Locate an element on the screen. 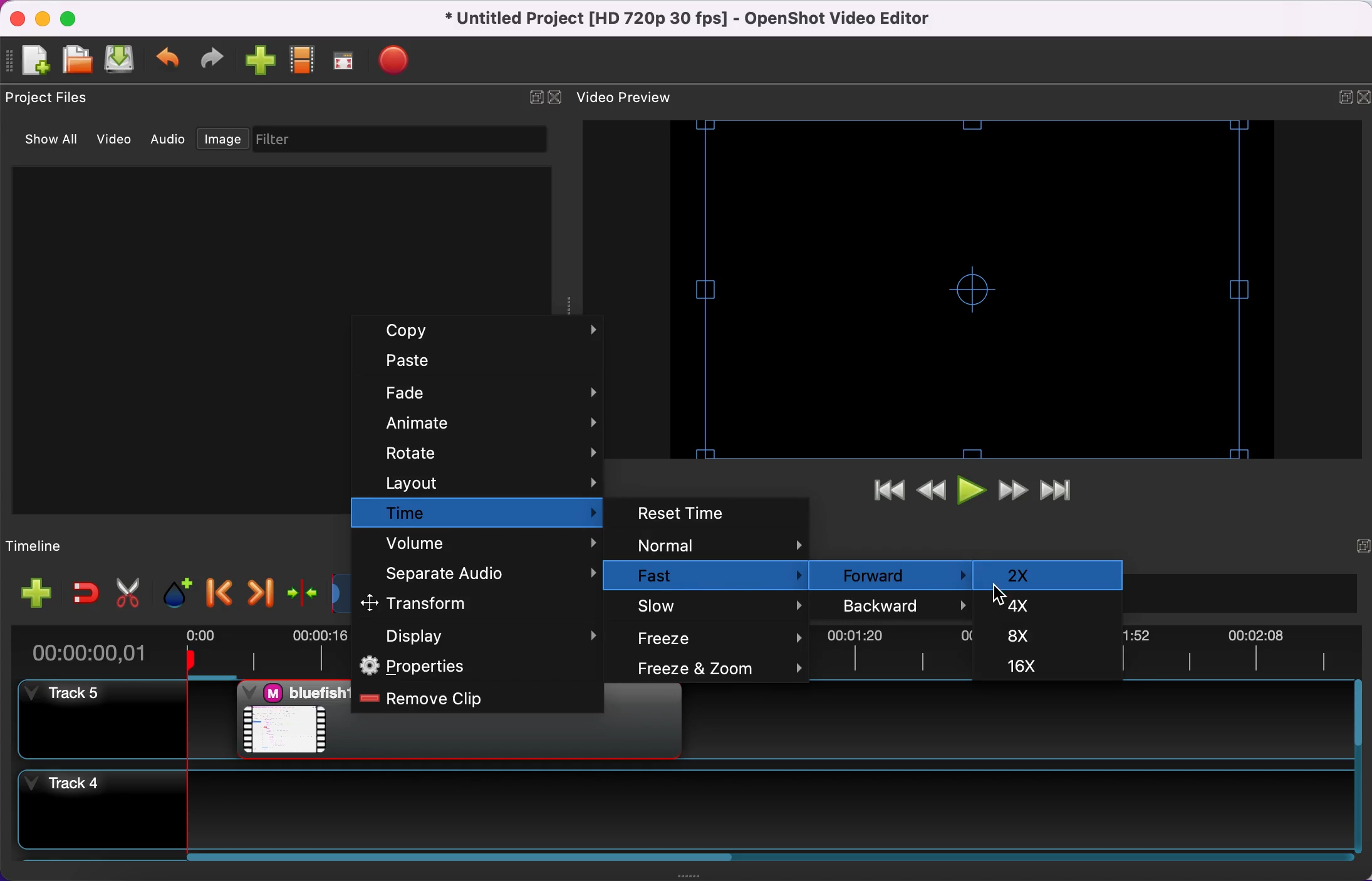 The image size is (1372, 881). backward is located at coordinates (898, 607).